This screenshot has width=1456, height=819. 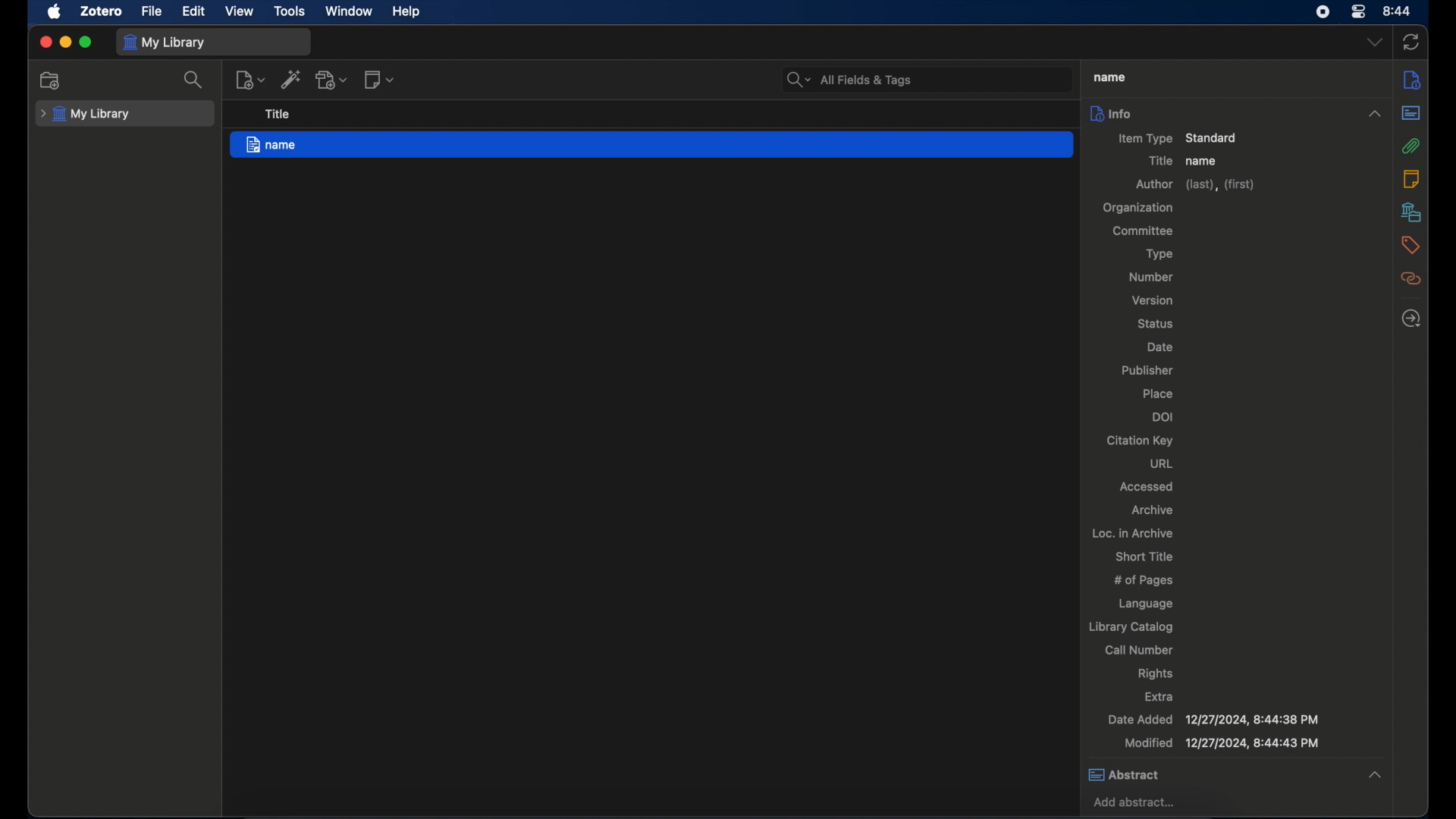 I want to click on organization, so click(x=1137, y=208).